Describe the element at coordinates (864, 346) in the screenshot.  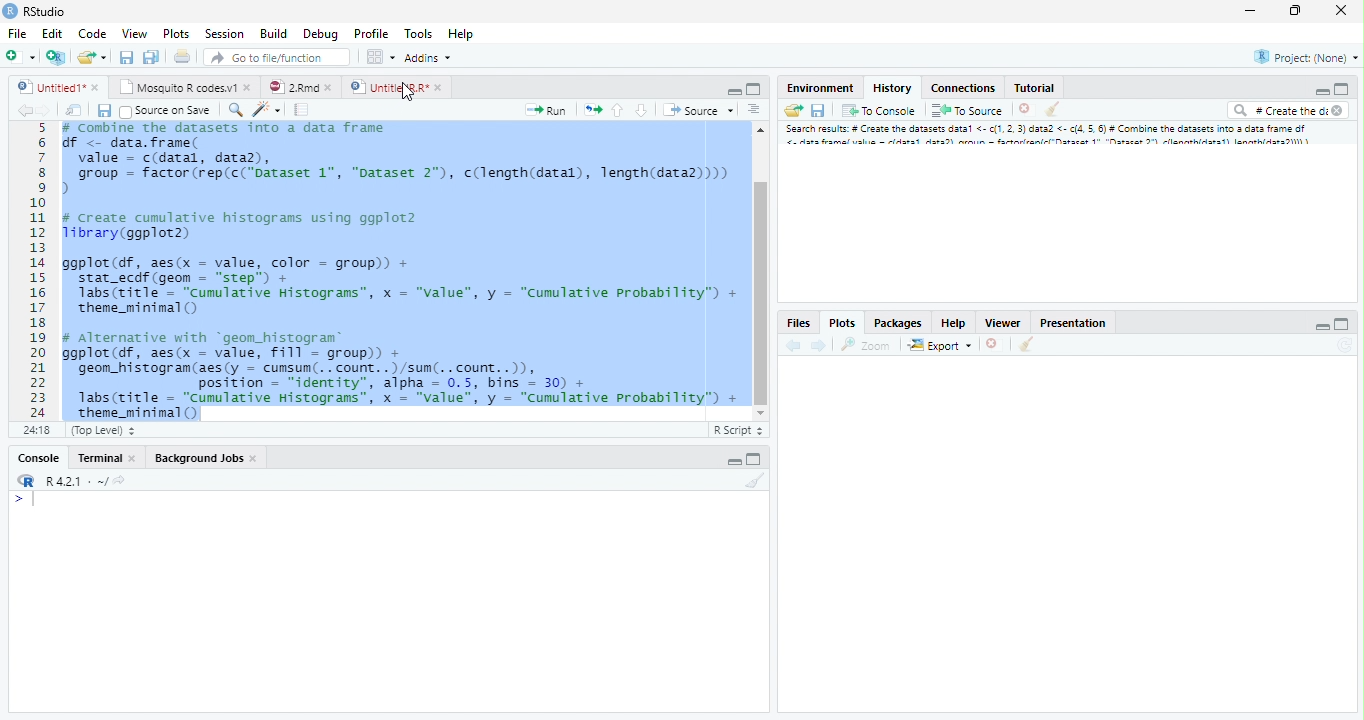
I see `Zoom` at that location.